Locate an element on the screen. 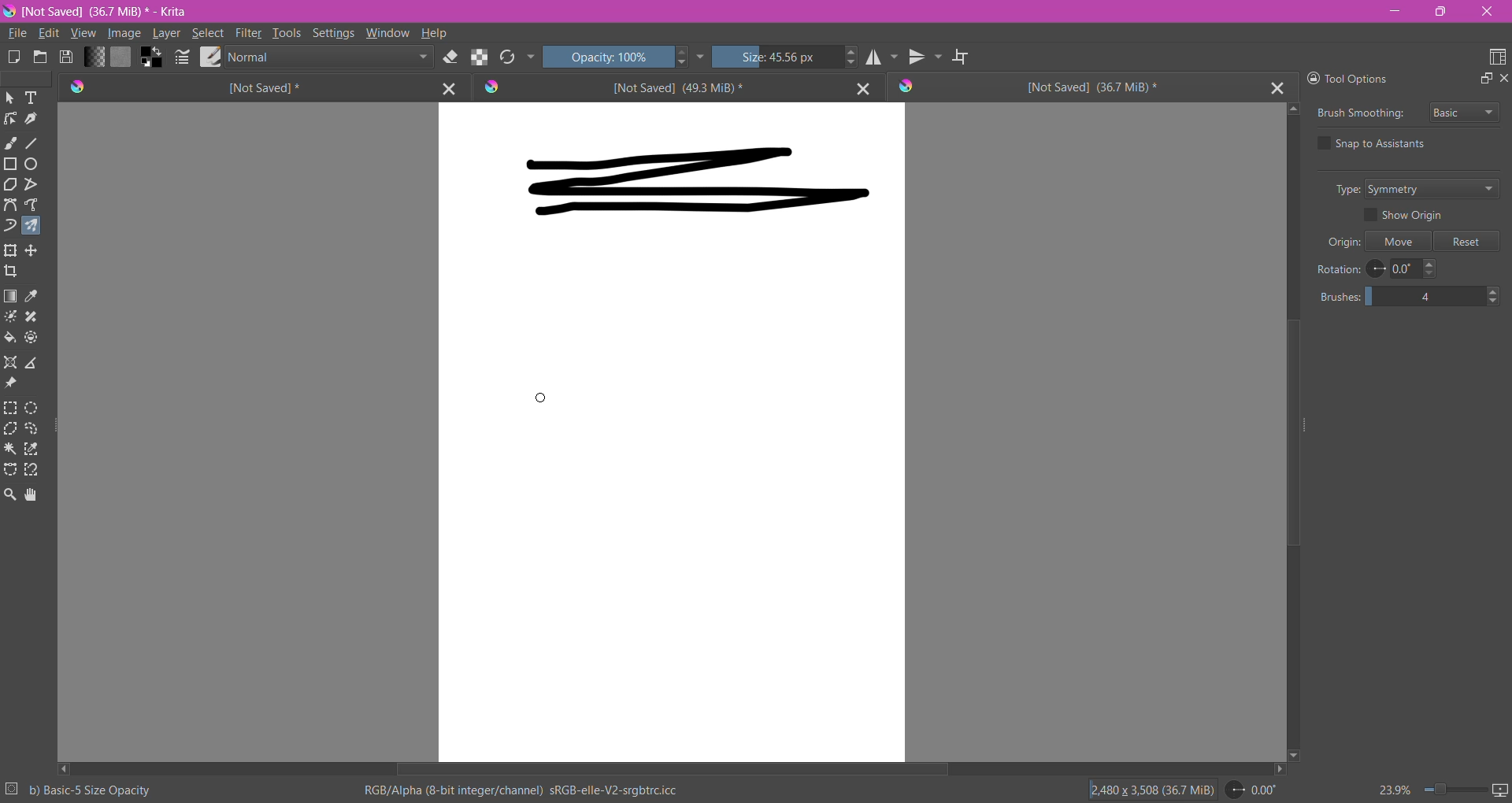 The height and width of the screenshot is (803, 1512). Calligraphy is located at coordinates (34, 118).